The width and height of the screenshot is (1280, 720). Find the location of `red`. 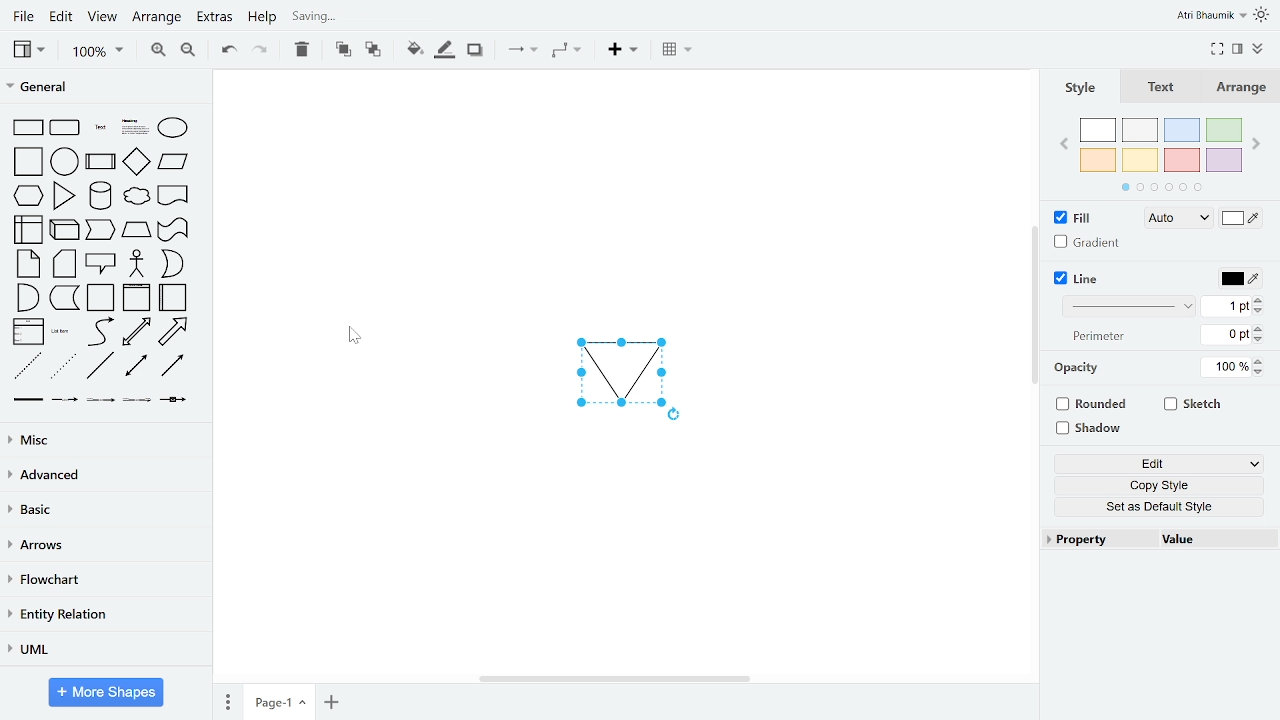

red is located at coordinates (1181, 161).